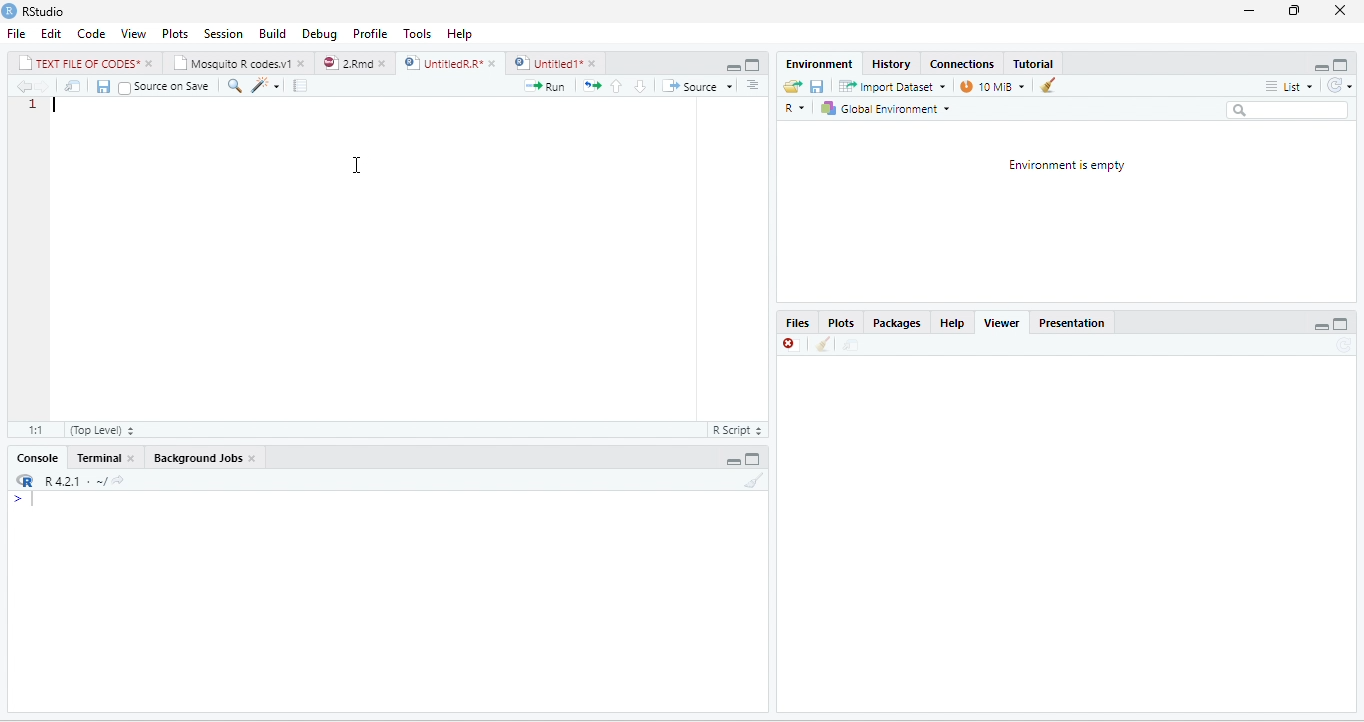  I want to click on Files, so click(798, 324).